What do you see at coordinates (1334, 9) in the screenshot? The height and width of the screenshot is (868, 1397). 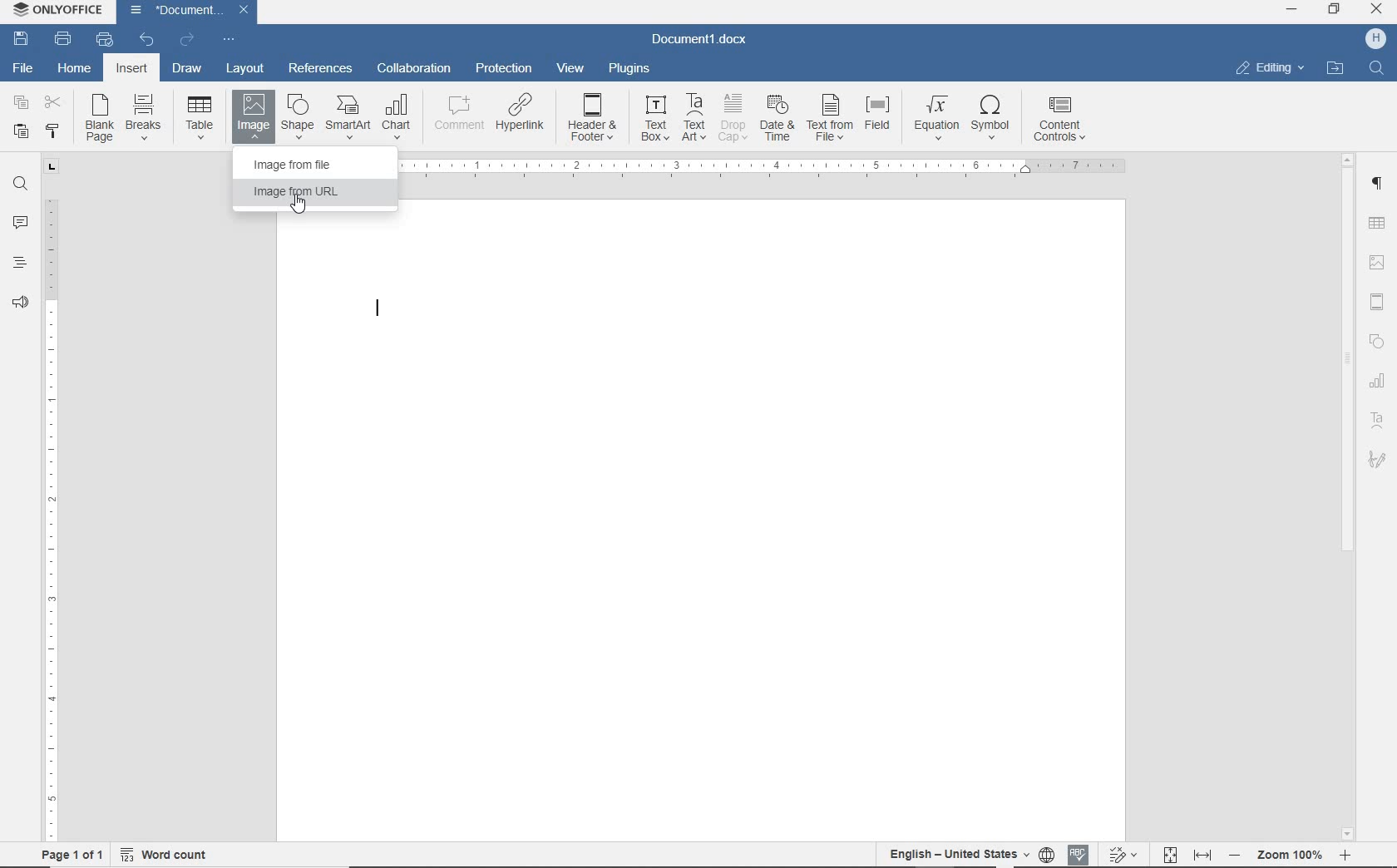 I see `restore ` at bounding box center [1334, 9].